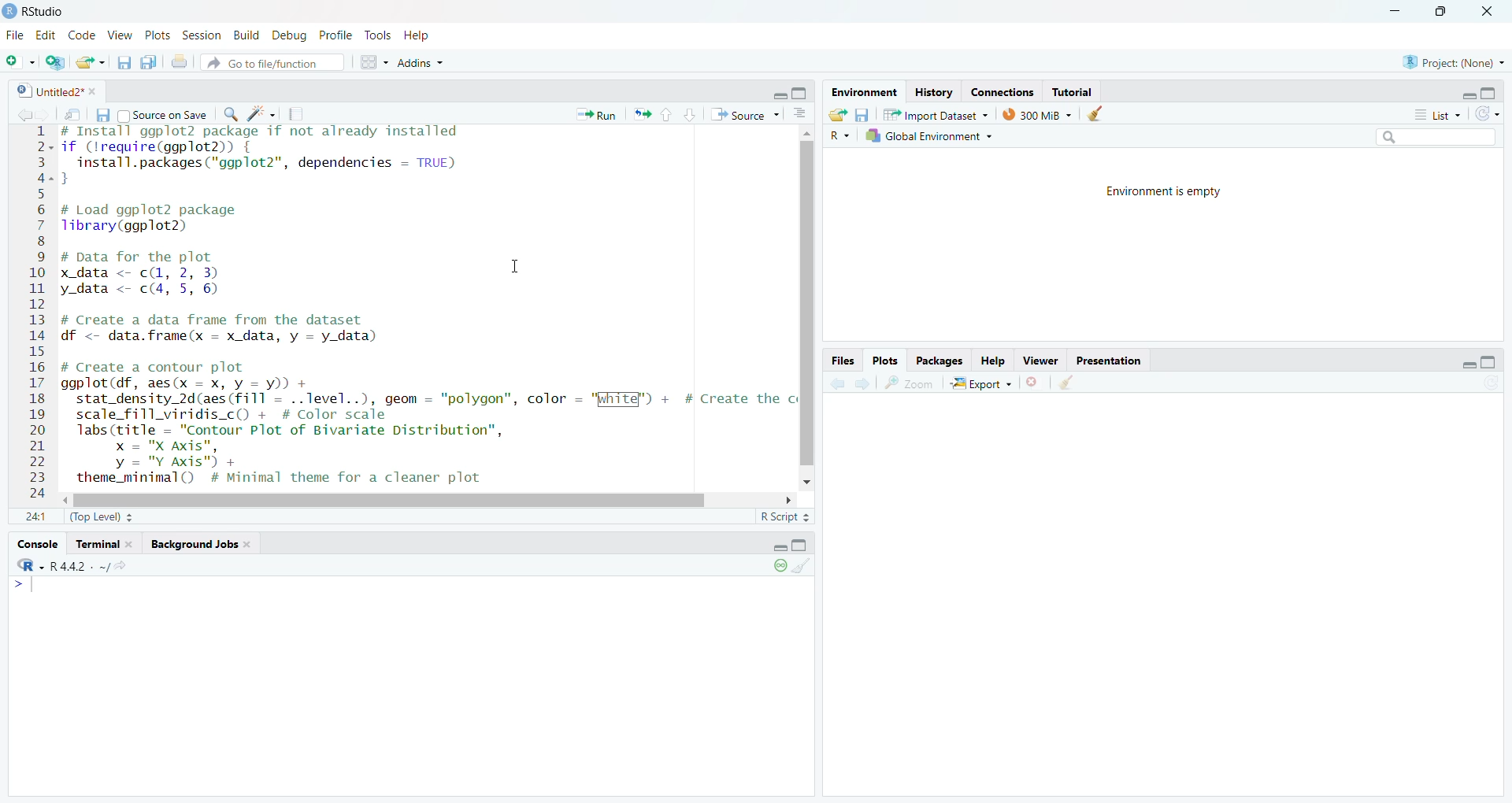 Image resolution: width=1512 pixels, height=803 pixels. Describe the element at coordinates (1032, 383) in the screenshot. I see `clear current plots` at that location.